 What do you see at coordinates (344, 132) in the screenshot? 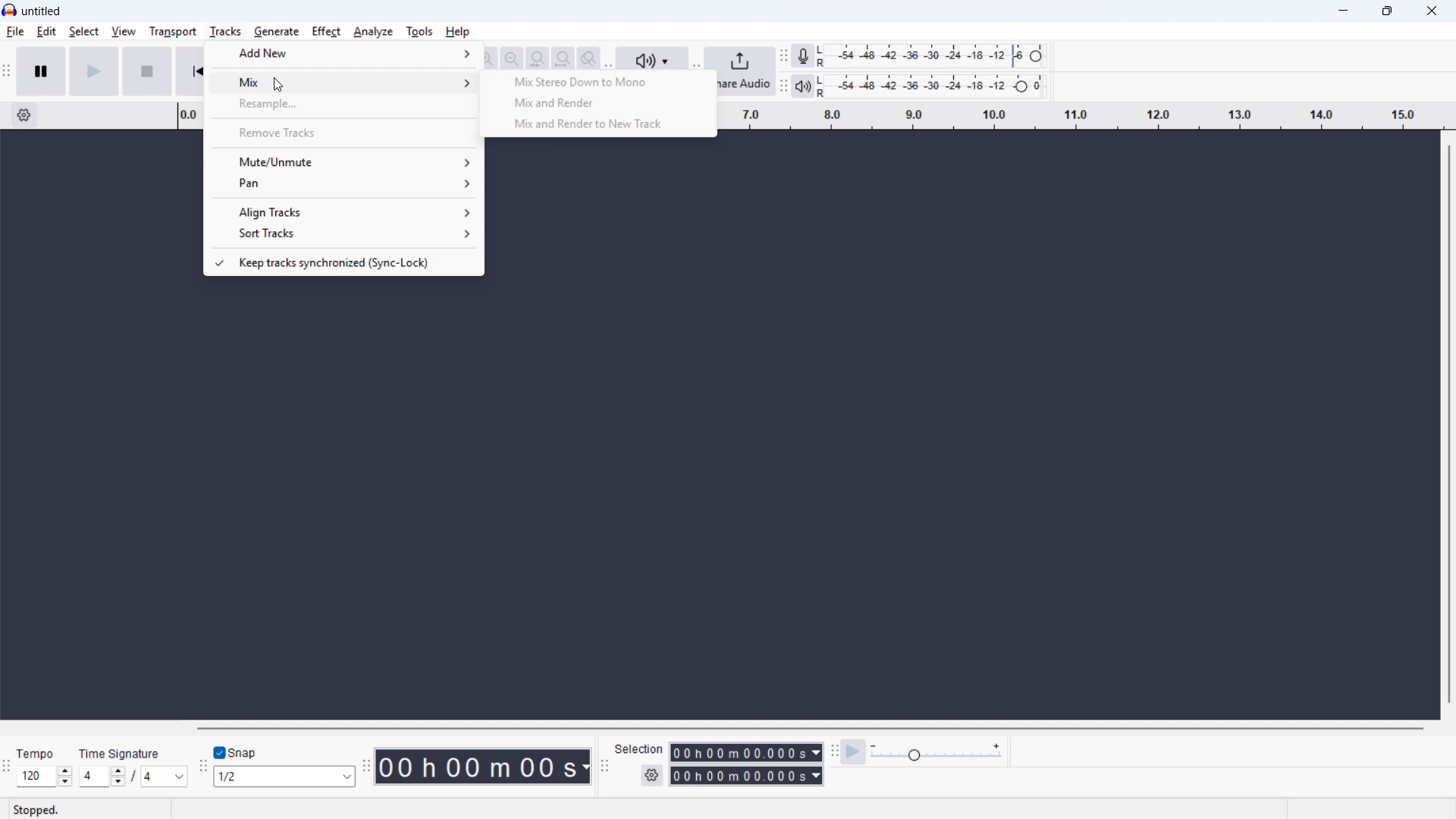
I see `Remove tracks ` at bounding box center [344, 132].